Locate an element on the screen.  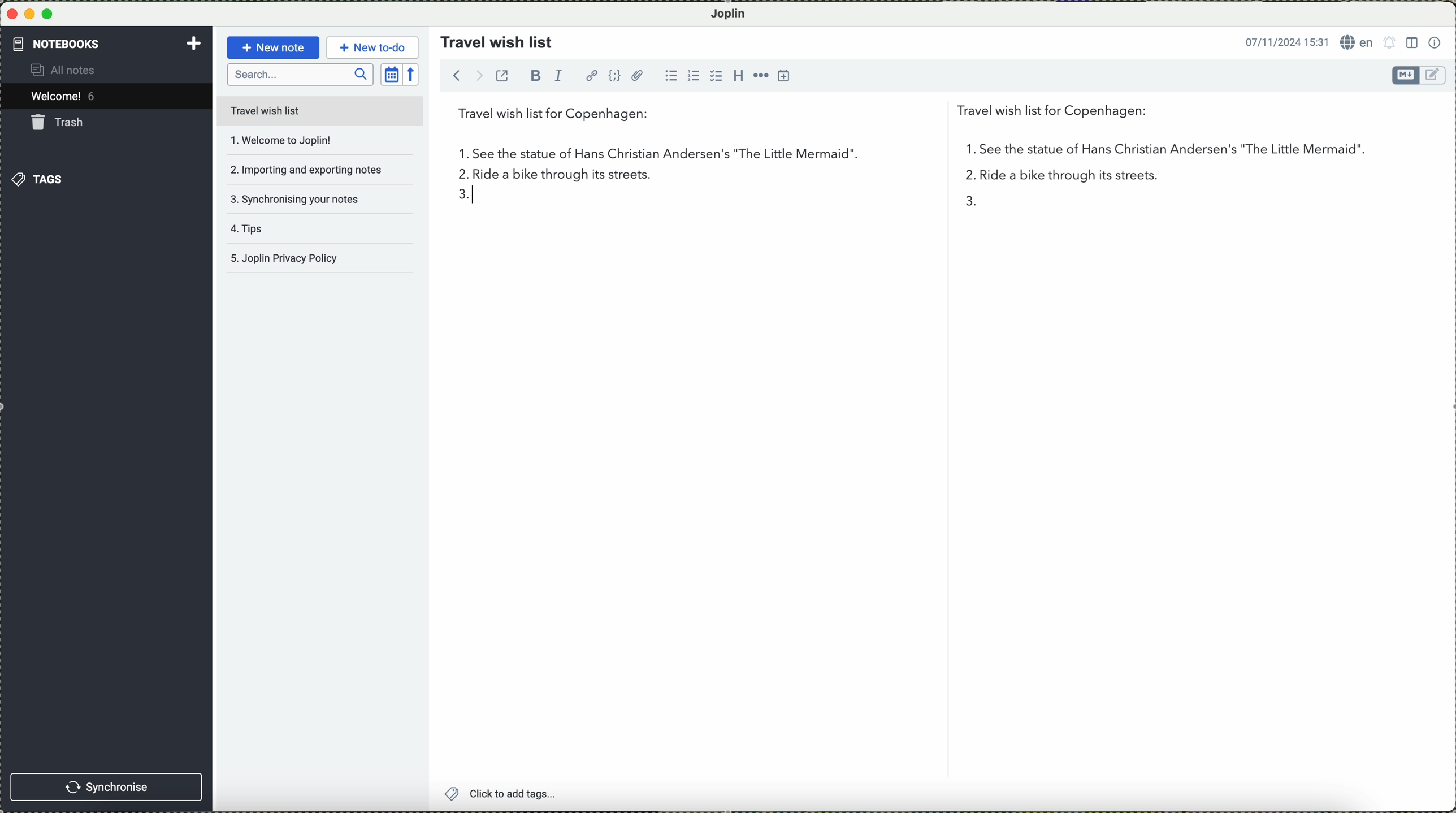
tags is located at coordinates (39, 179).